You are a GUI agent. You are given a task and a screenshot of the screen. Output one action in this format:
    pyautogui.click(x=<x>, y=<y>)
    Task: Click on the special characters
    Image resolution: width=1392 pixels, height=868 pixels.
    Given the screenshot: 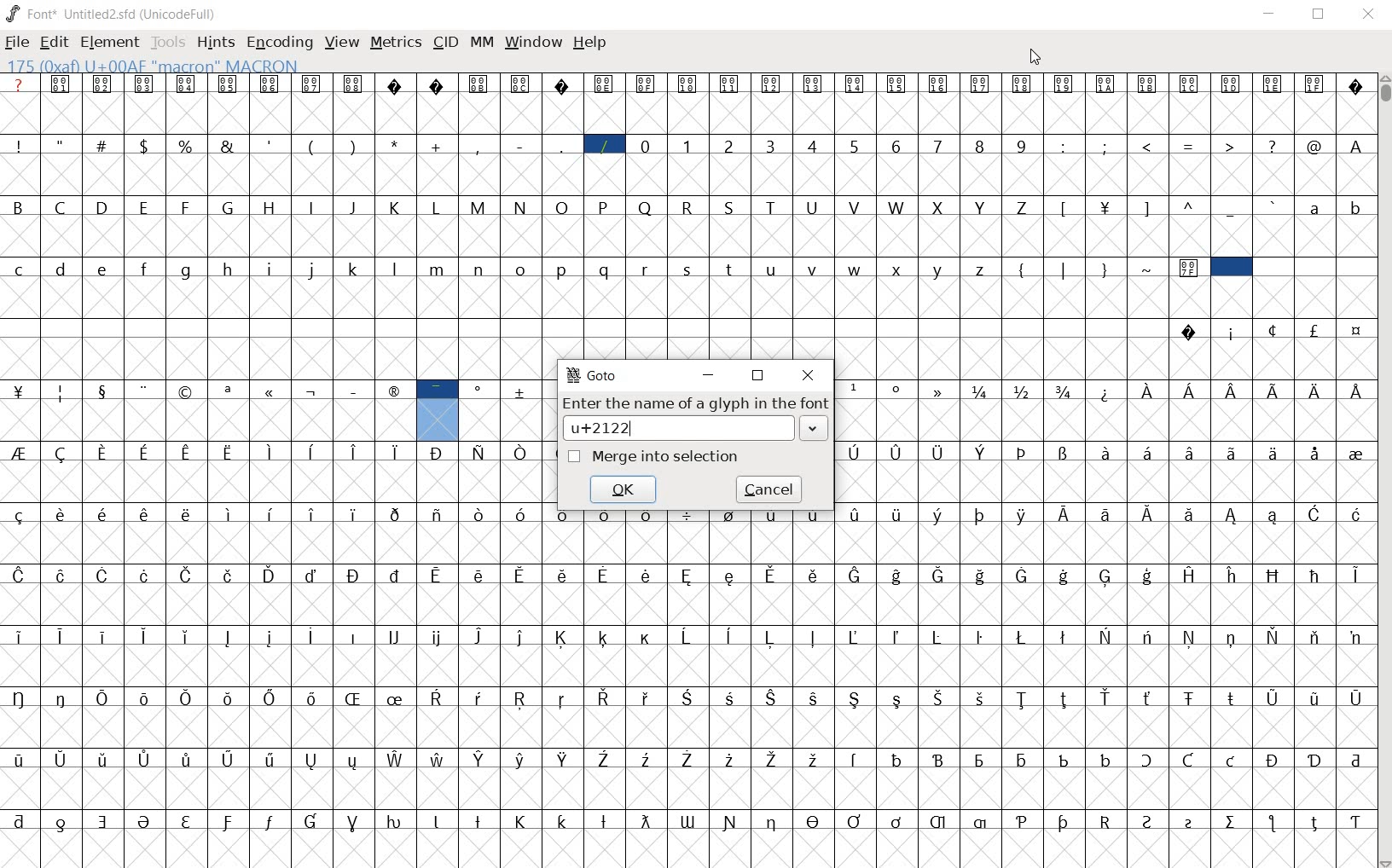 What is the action you would take?
    pyautogui.click(x=1105, y=778)
    